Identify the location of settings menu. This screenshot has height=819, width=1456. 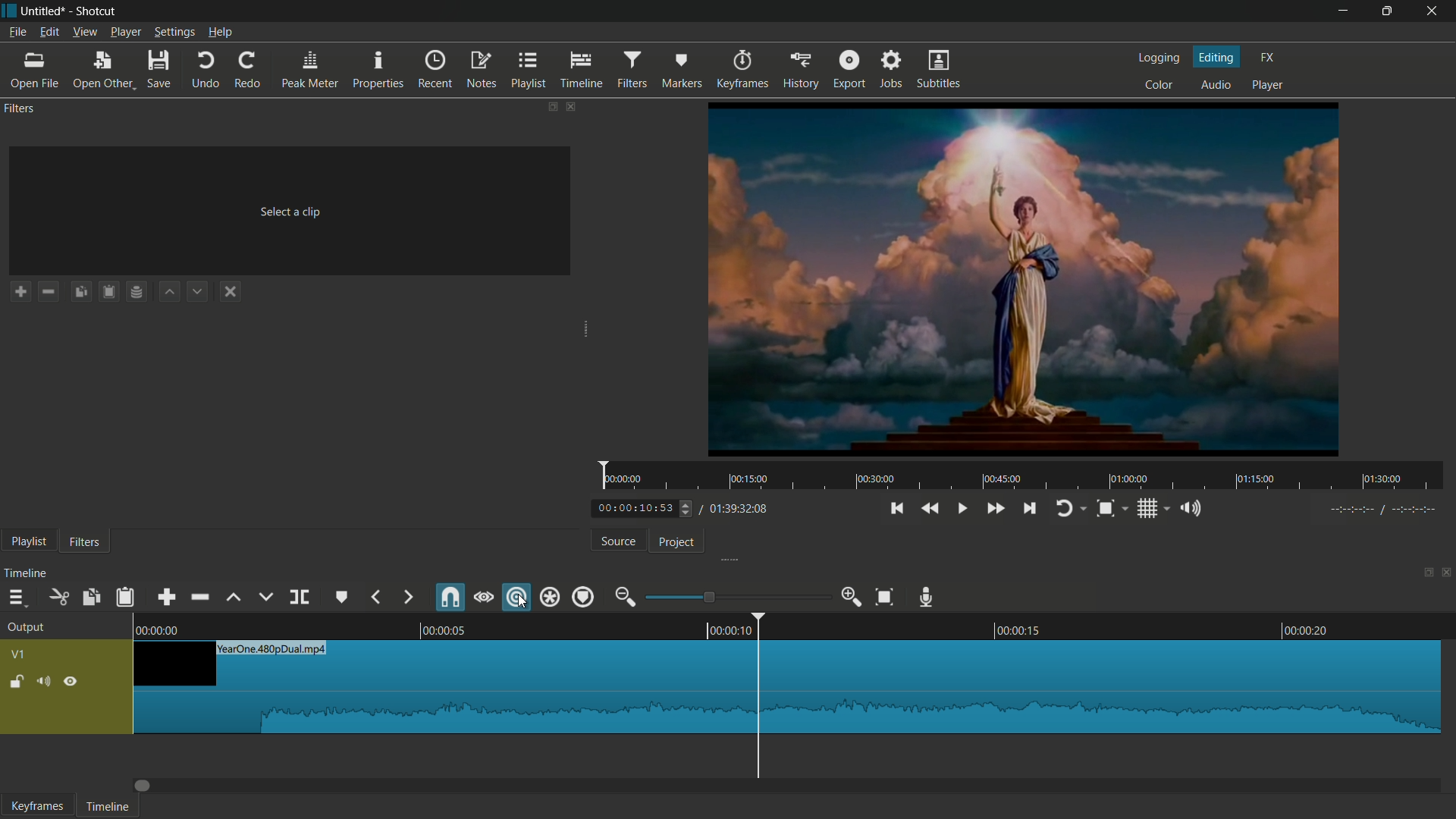
(174, 33).